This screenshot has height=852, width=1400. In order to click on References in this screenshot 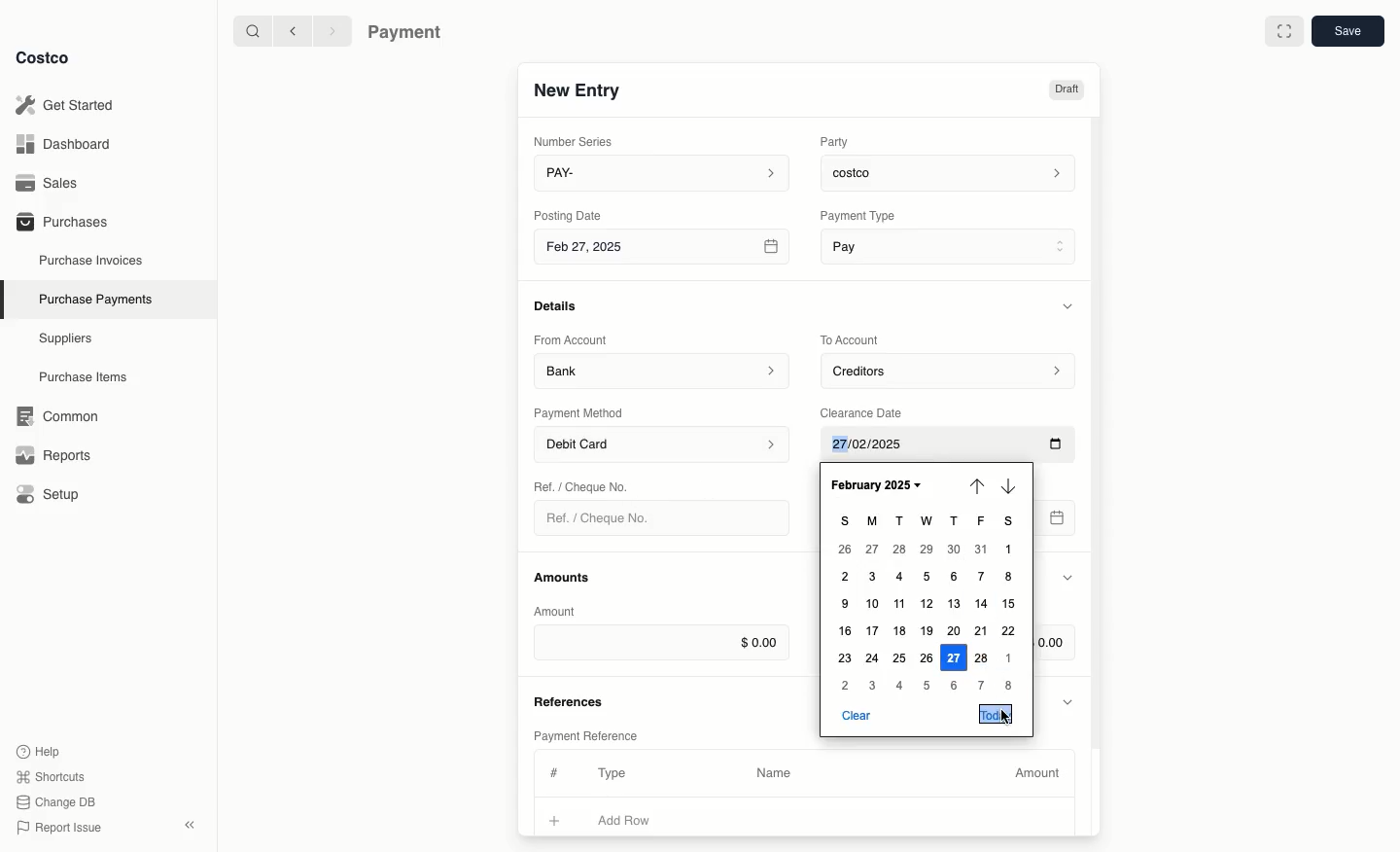, I will do `click(572, 699)`.